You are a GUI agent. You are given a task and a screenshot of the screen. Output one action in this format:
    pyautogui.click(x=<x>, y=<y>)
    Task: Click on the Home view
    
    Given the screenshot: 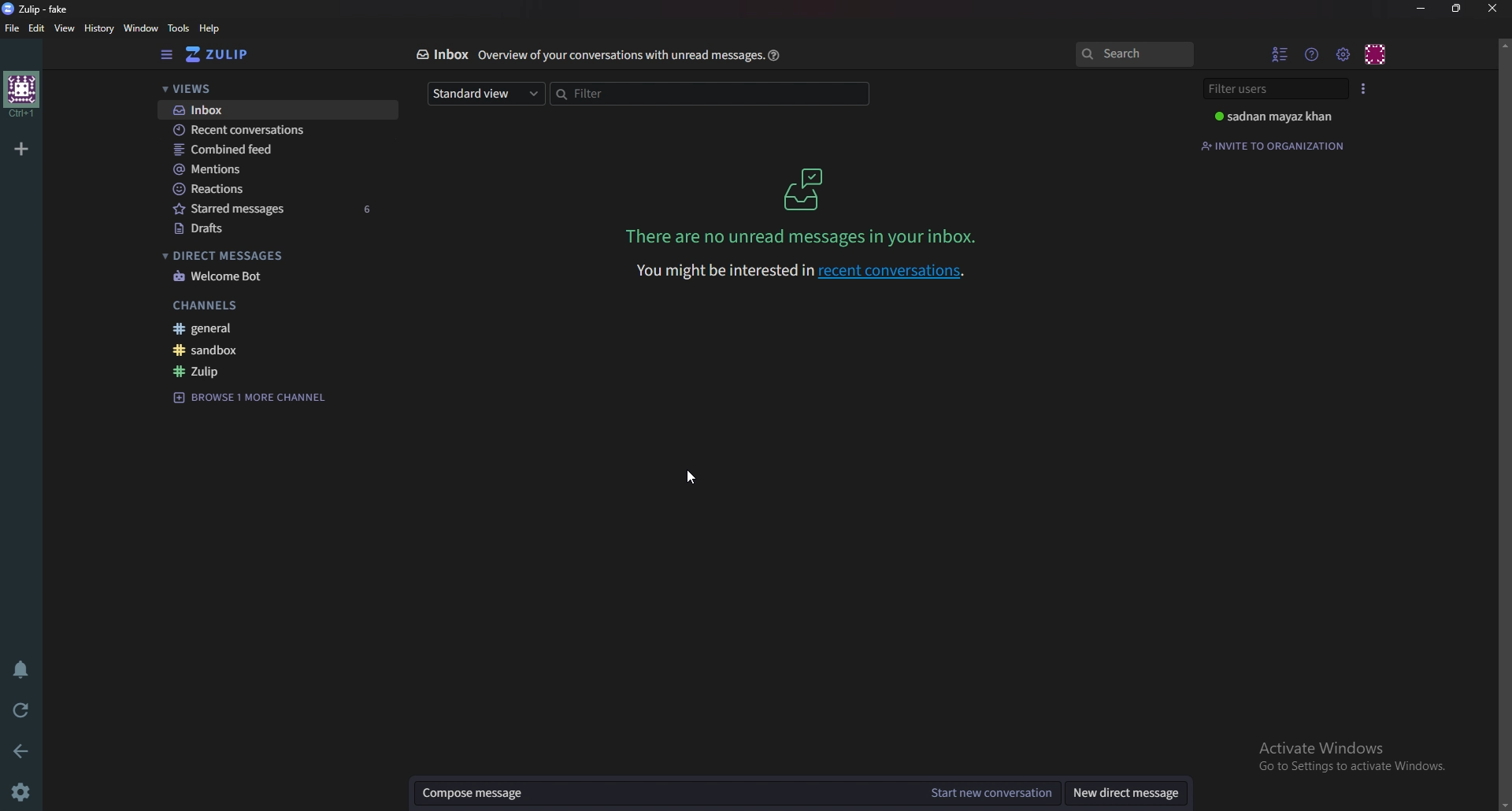 What is the action you would take?
    pyautogui.click(x=232, y=54)
    